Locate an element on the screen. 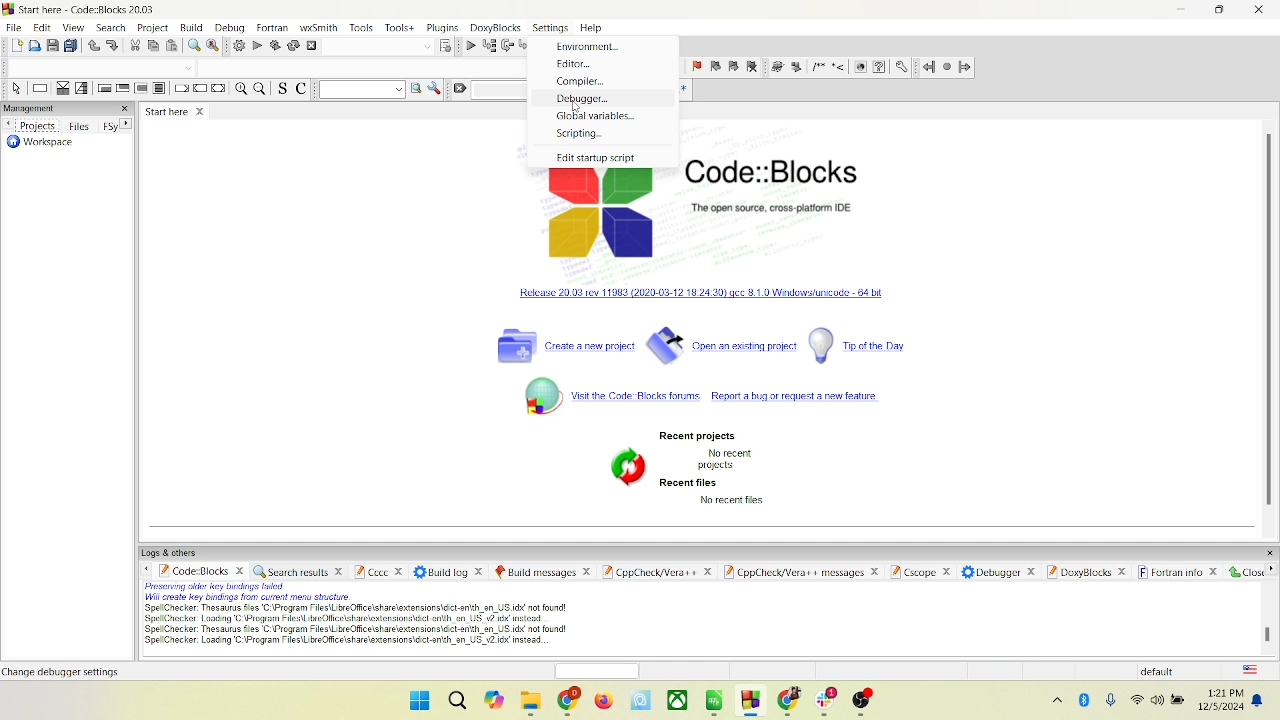 This screenshot has width=1280, height=720. run search is located at coordinates (413, 89).